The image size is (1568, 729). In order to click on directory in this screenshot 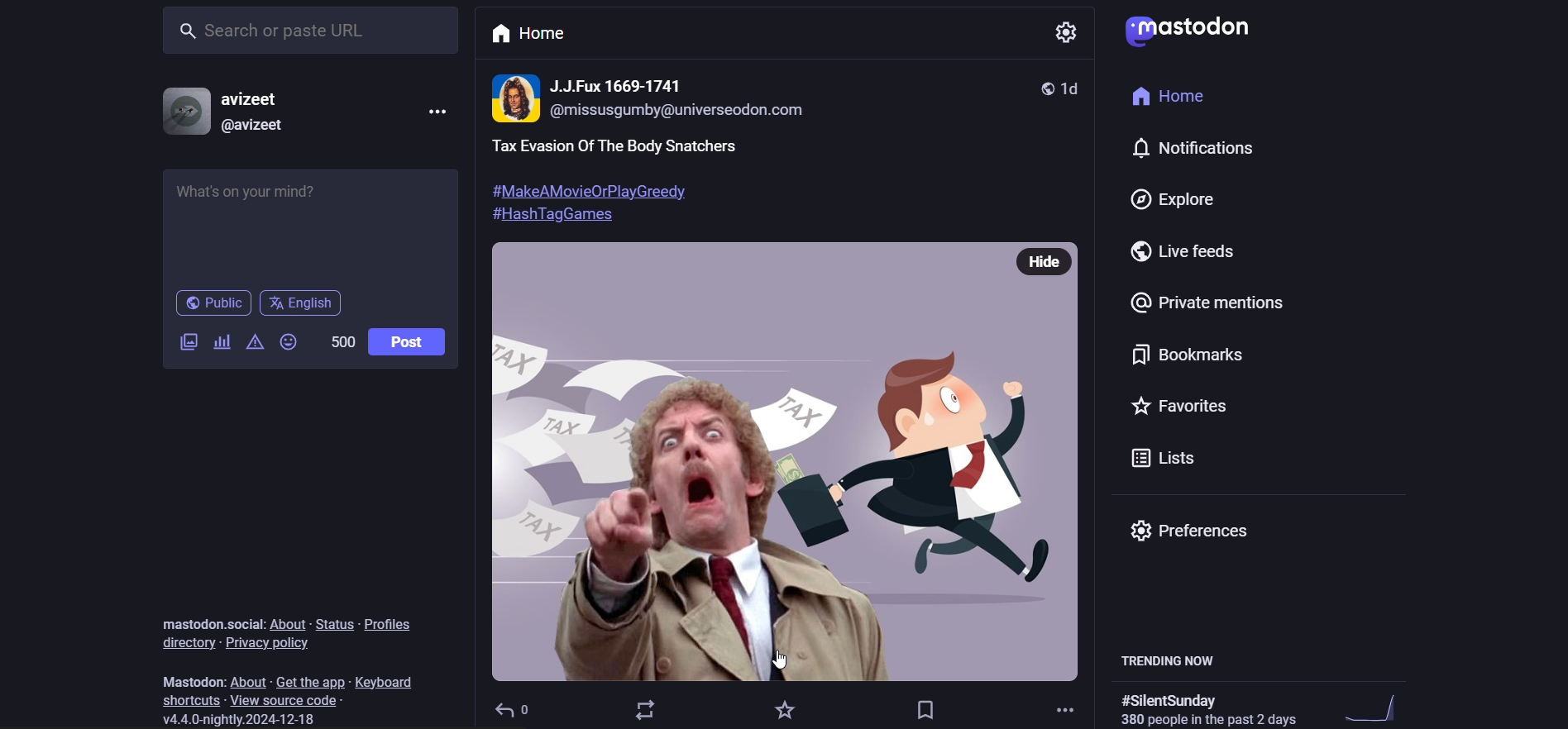, I will do `click(185, 643)`.